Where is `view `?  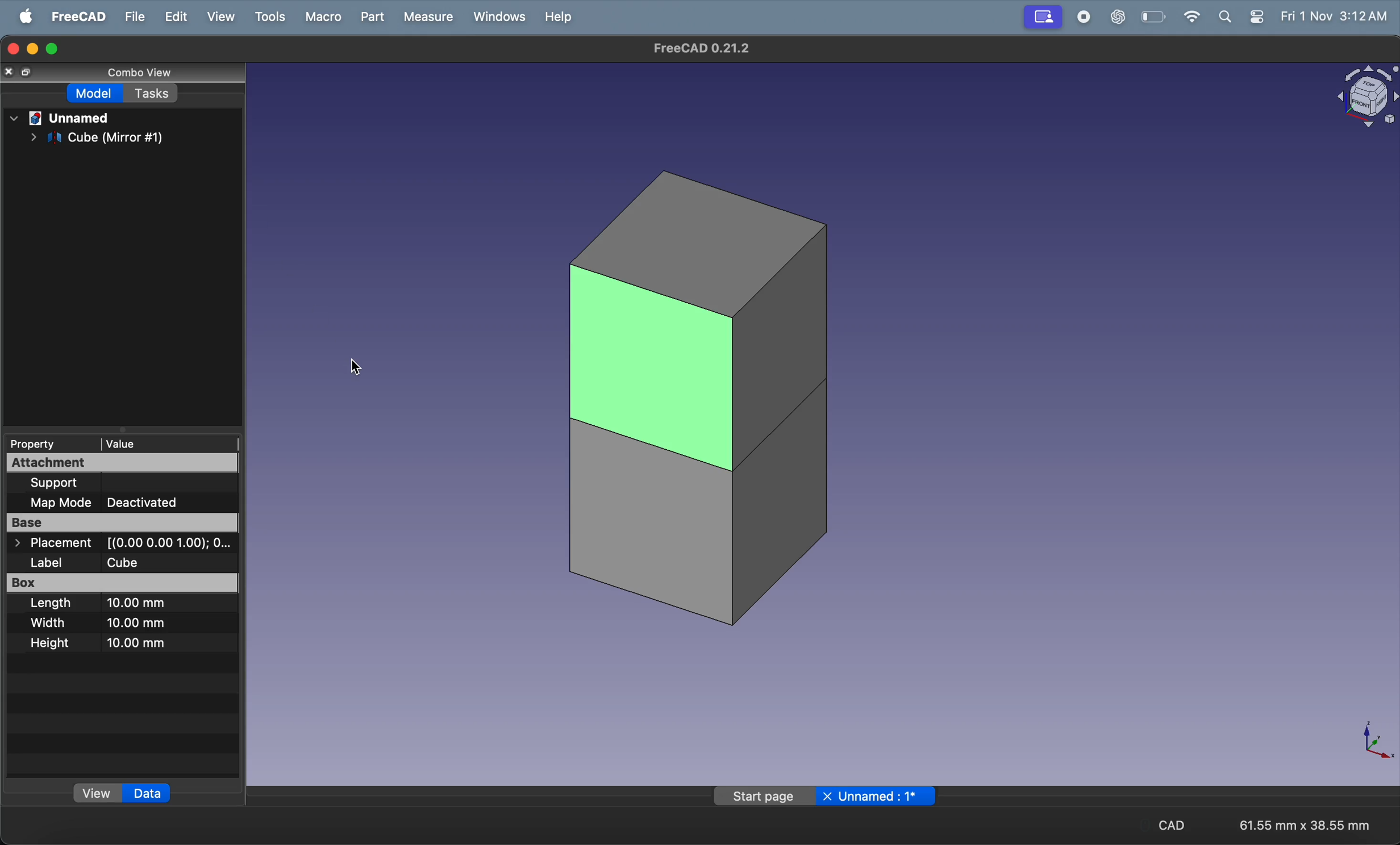 view  is located at coordinates (95, 791).